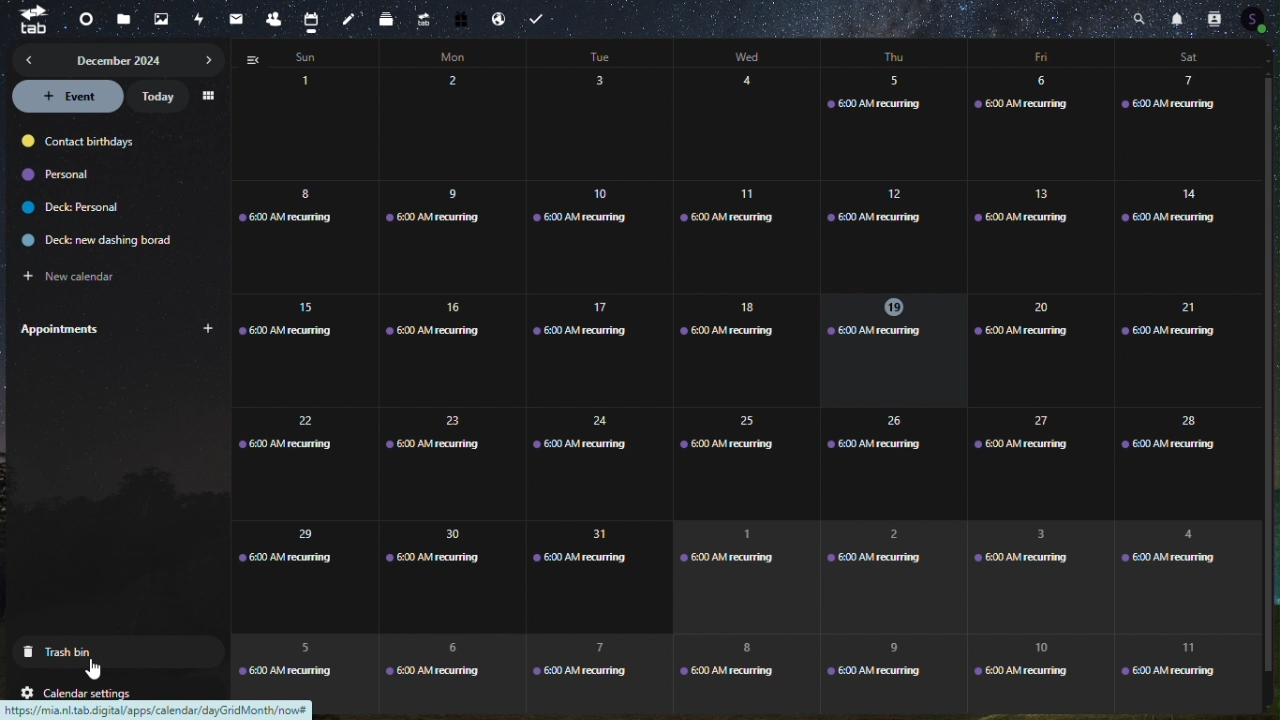 This screenshot has width=1280, height=720. What do you see at coordinates (422, 18) in the screenshot?
I see `upgrade` at bounding box center [422, 18].